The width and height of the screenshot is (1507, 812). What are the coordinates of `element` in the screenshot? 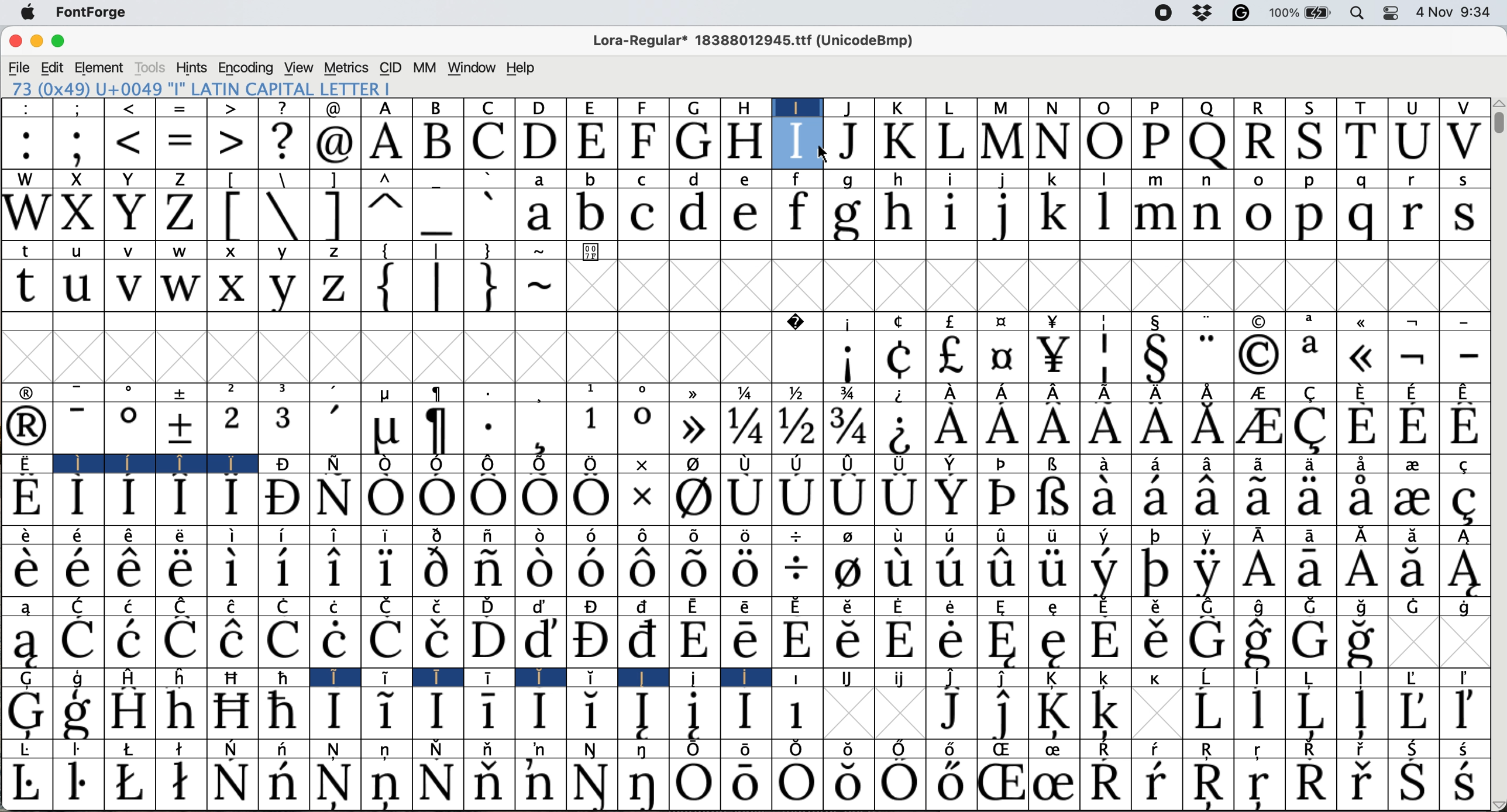 It's located at (100, 67).